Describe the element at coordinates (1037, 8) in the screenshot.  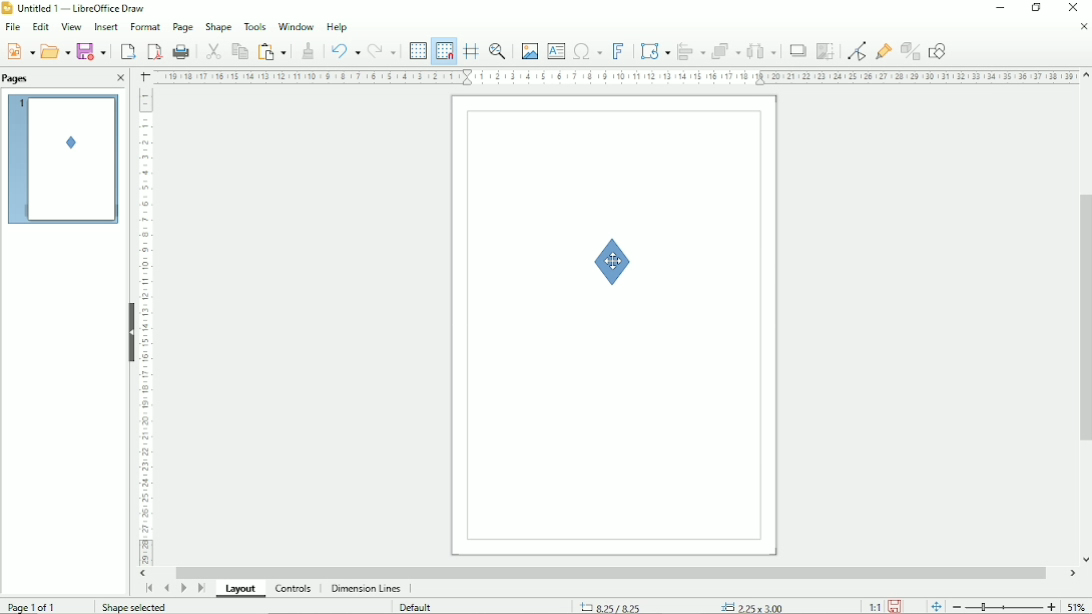
I see `Restore down` at that location.